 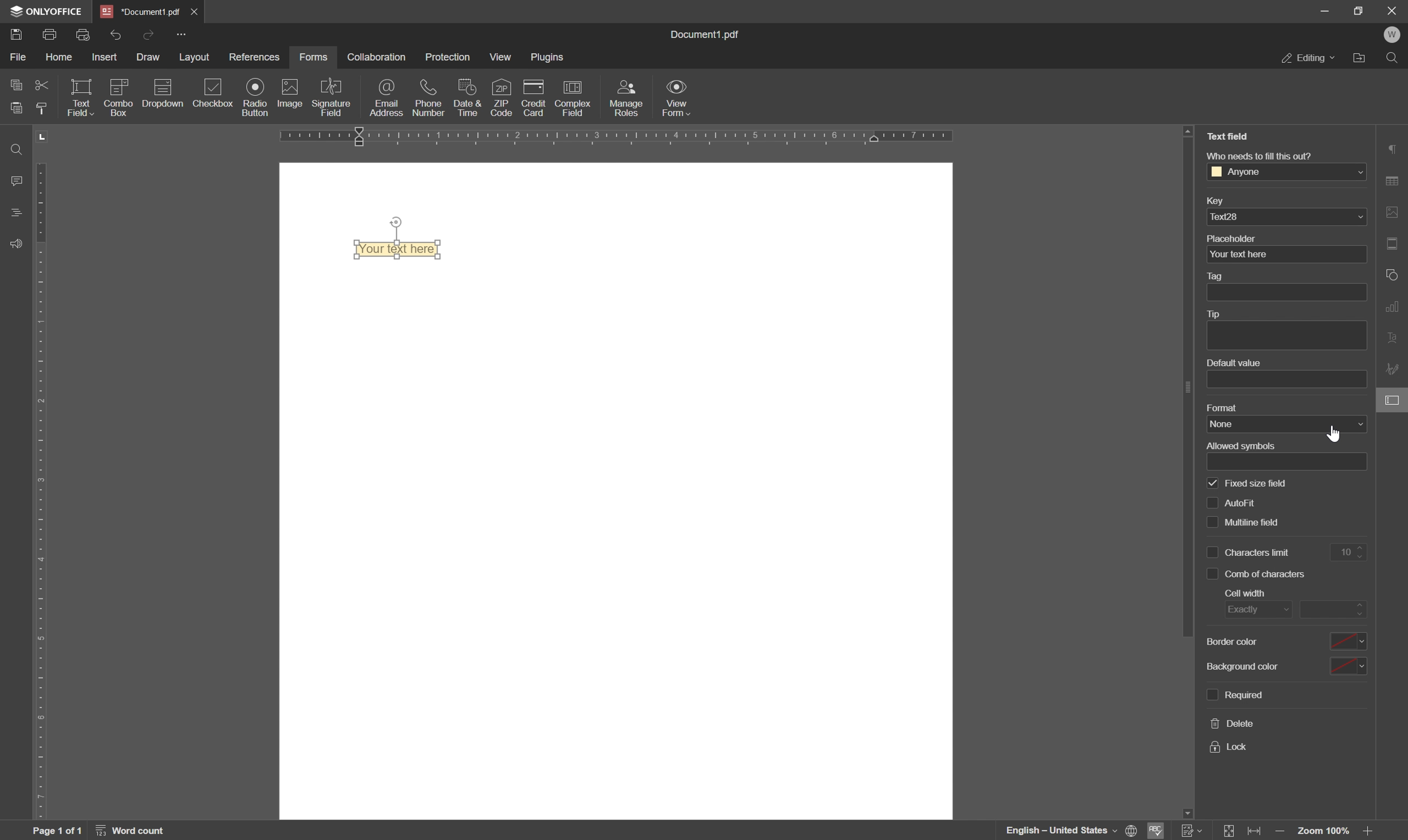 I want to click on dropdown, so click(x=162, y=112).